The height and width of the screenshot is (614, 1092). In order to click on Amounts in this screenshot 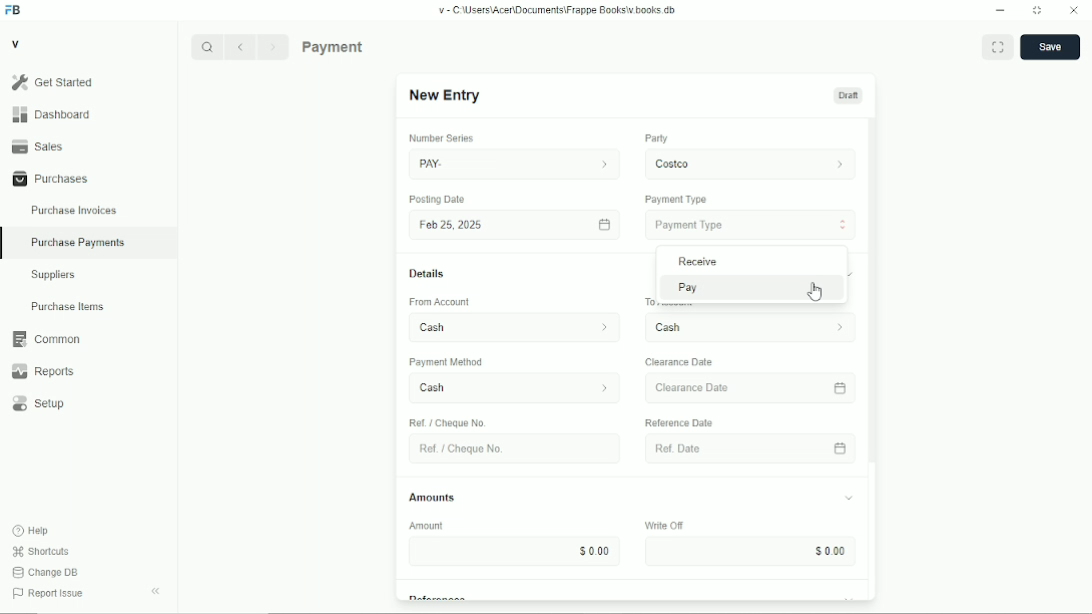, I will do `click(433, 493)`.